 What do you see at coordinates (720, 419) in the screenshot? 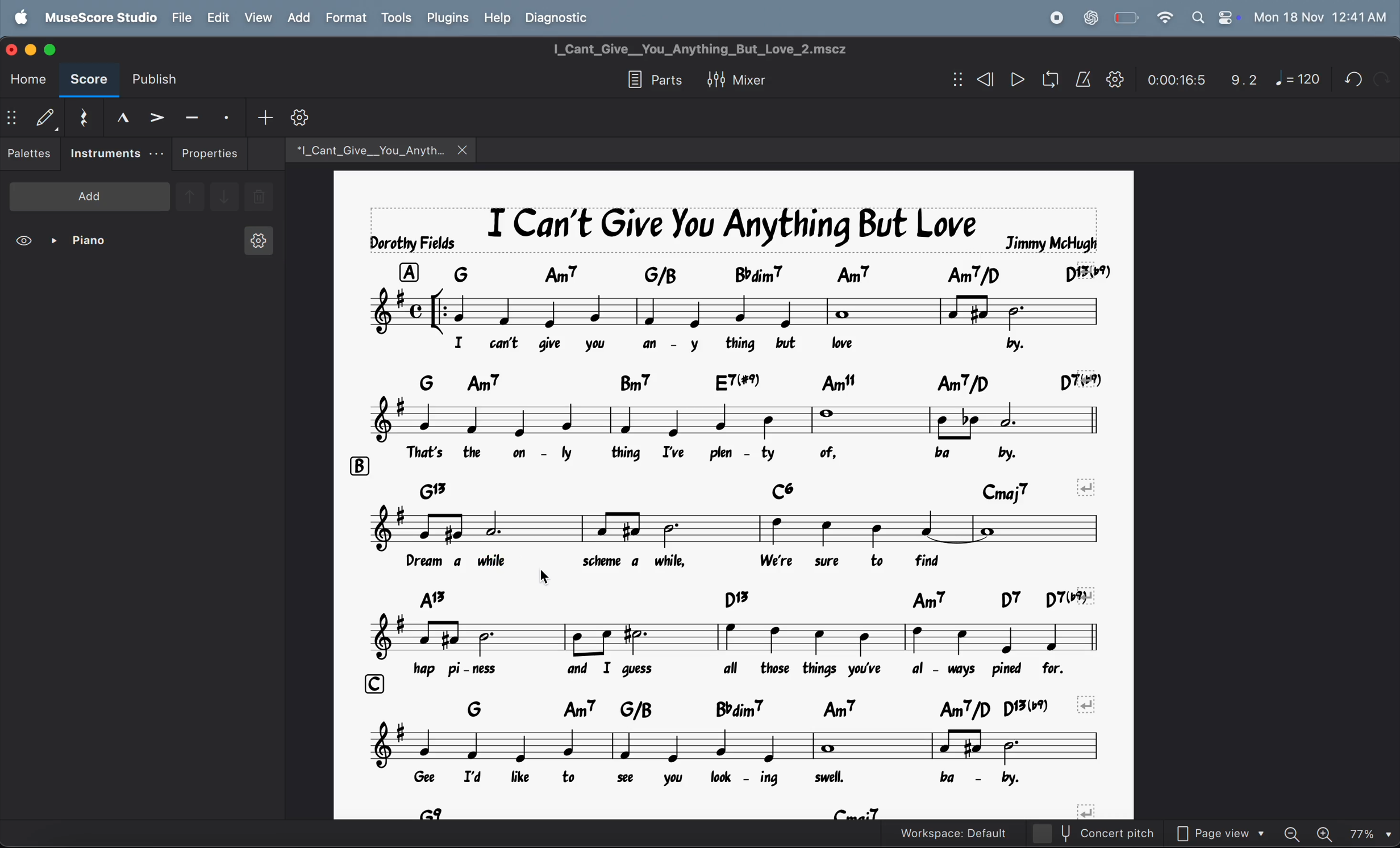
I see `notes` at bounding box center [720, 419].